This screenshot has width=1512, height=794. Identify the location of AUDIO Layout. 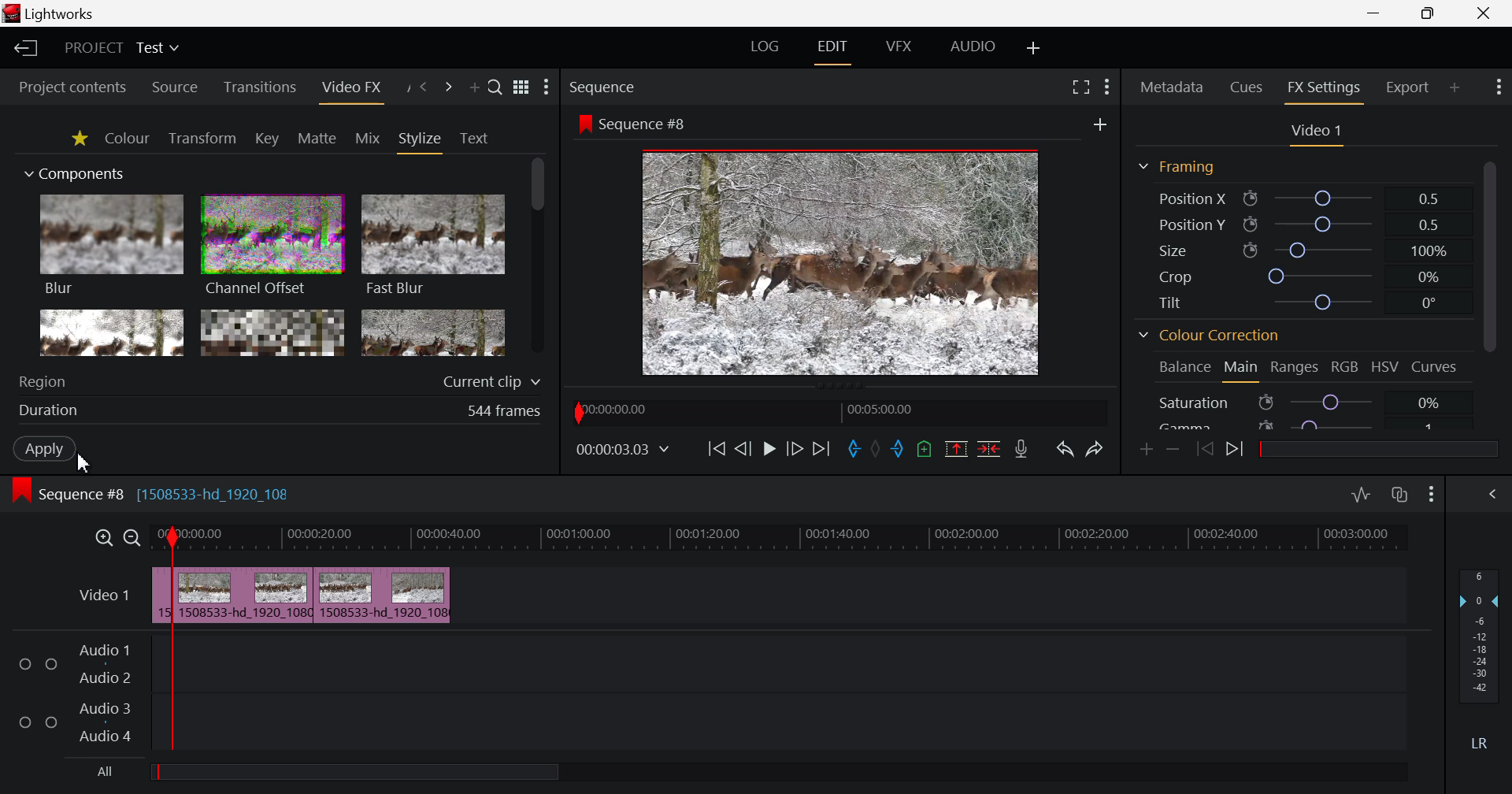
(973, 46).